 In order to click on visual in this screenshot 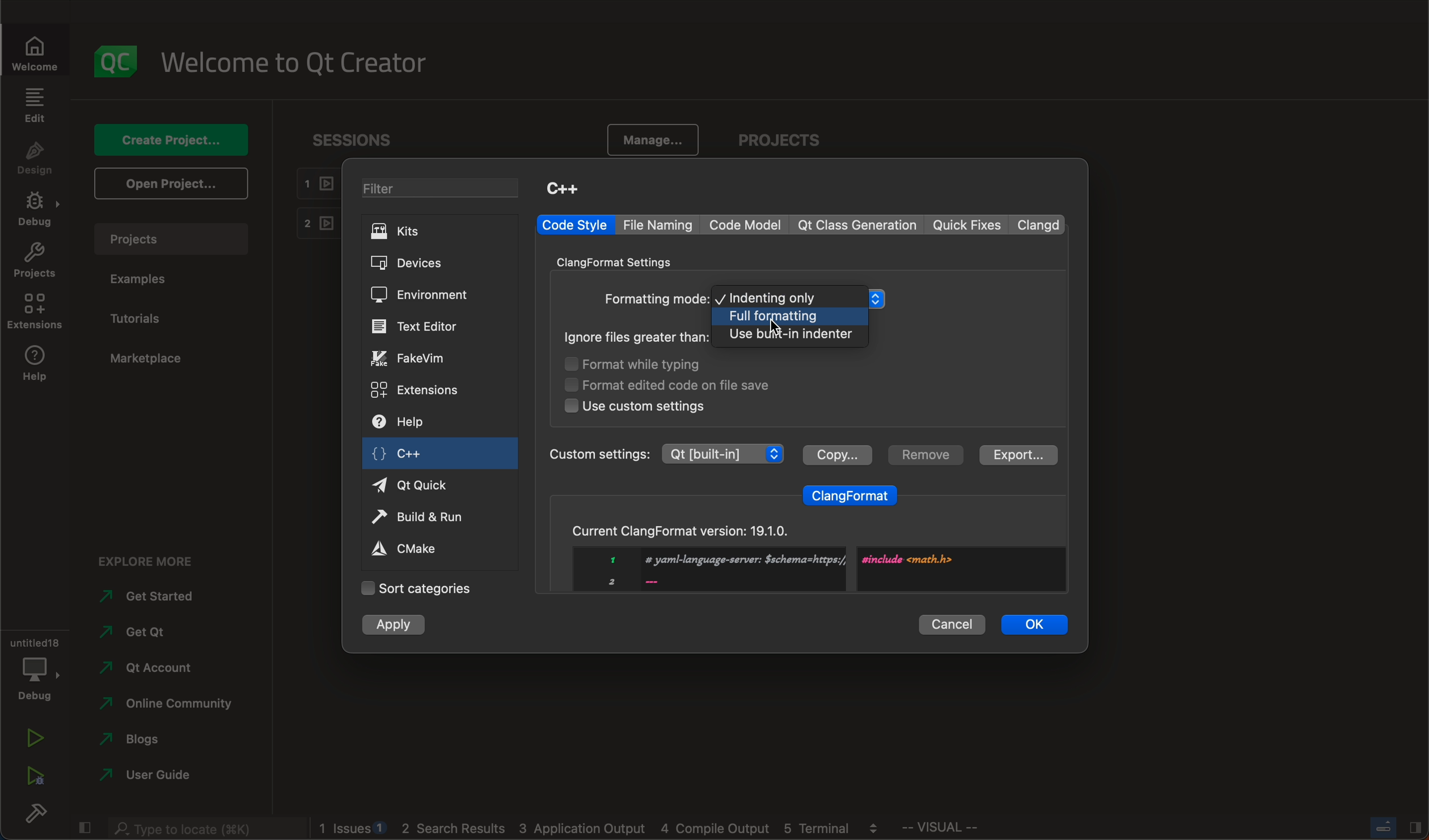, I will do `click(969, 830)`.